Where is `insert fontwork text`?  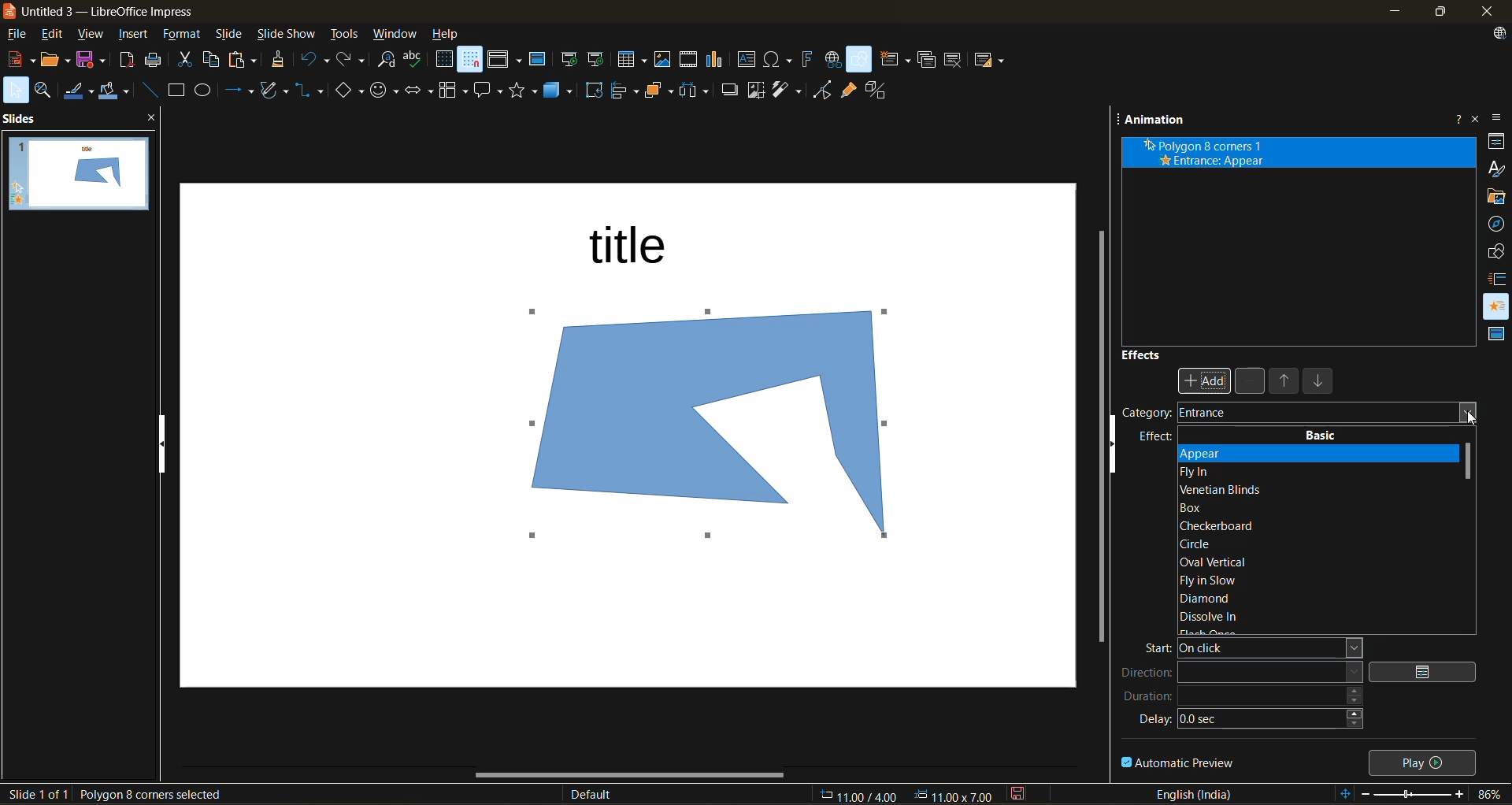 insert fontwork text is located at coordinates (806, 61).